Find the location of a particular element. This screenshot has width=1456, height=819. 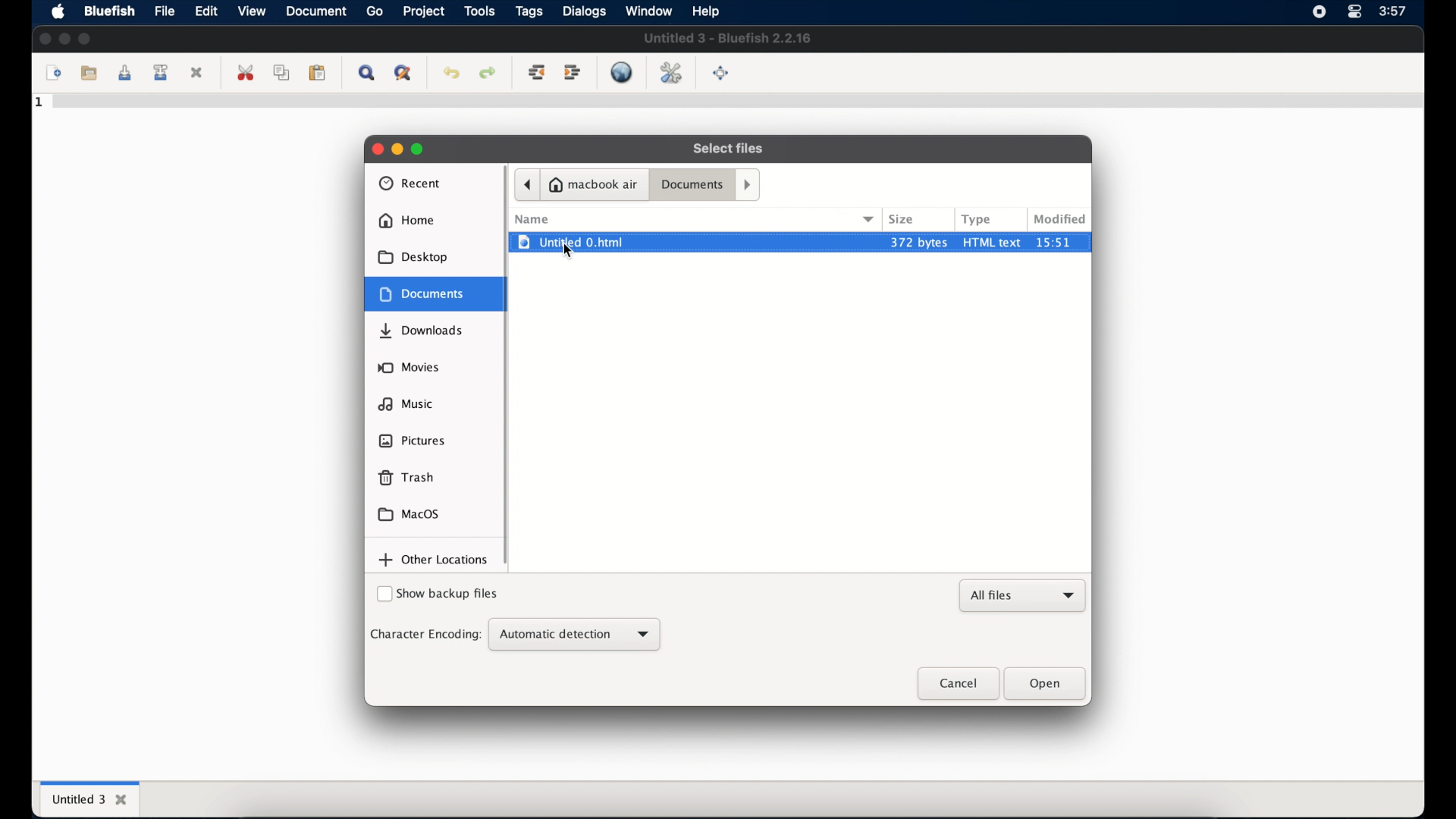

preview in browser is located at coordinates (623, 72).